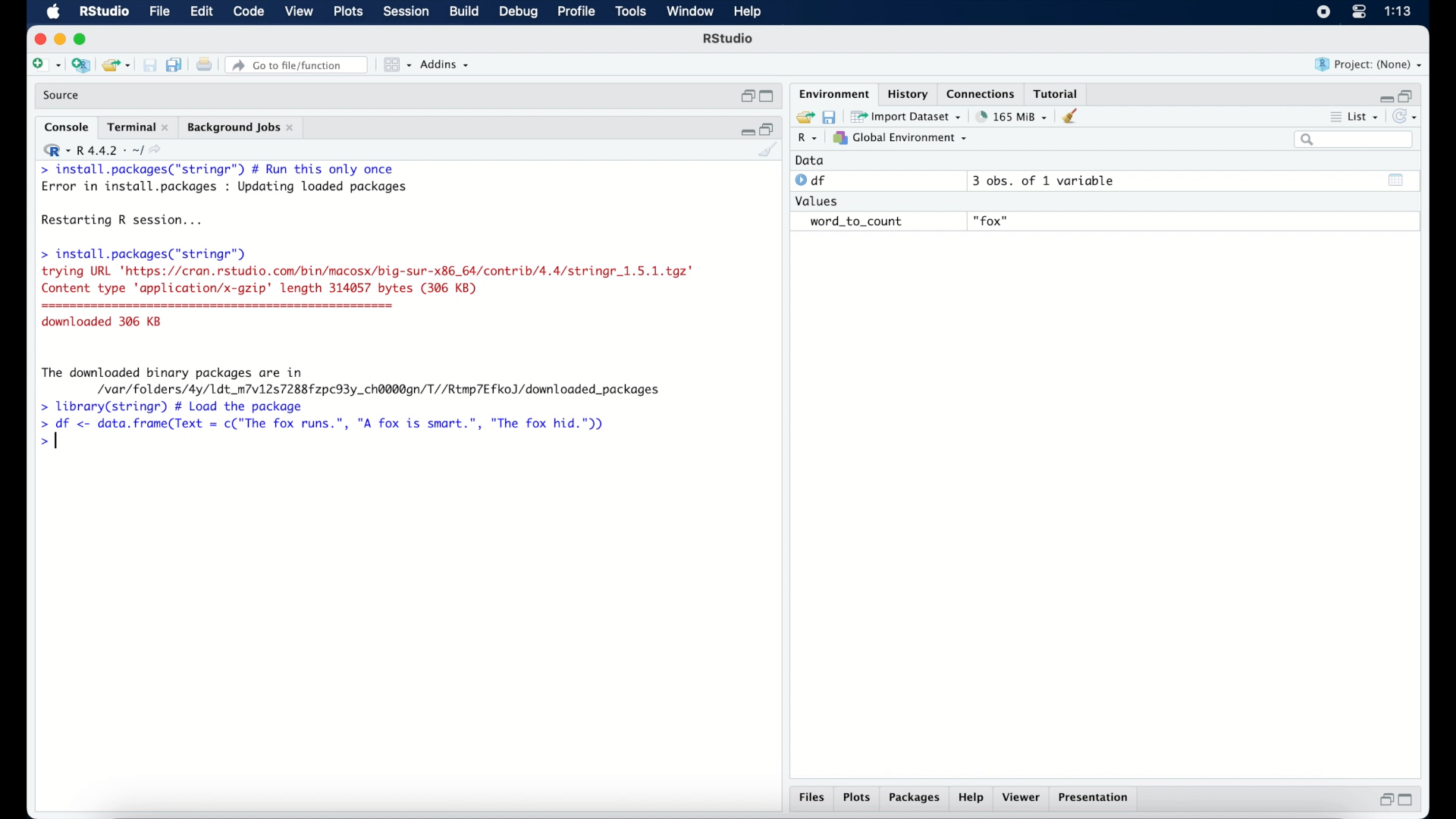 The image size is (1456, 819). What do you see at coordinates (1384, 98) in the screenshot?
I see `minimize` at bounding box center [1384, 98].